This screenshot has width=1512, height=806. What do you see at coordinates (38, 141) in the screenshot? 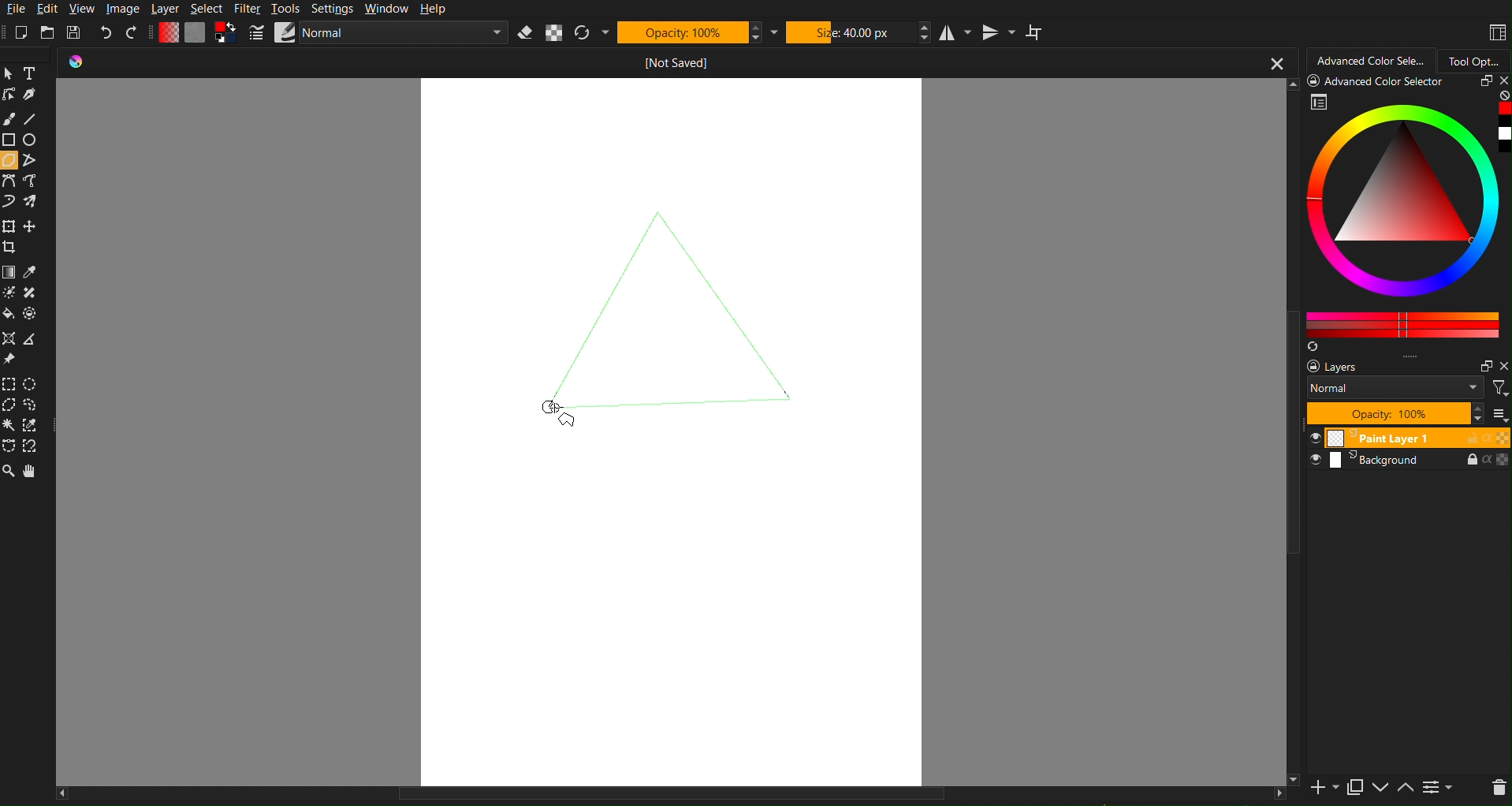
I see `ellipse tool` at bounding box center [38, 141].